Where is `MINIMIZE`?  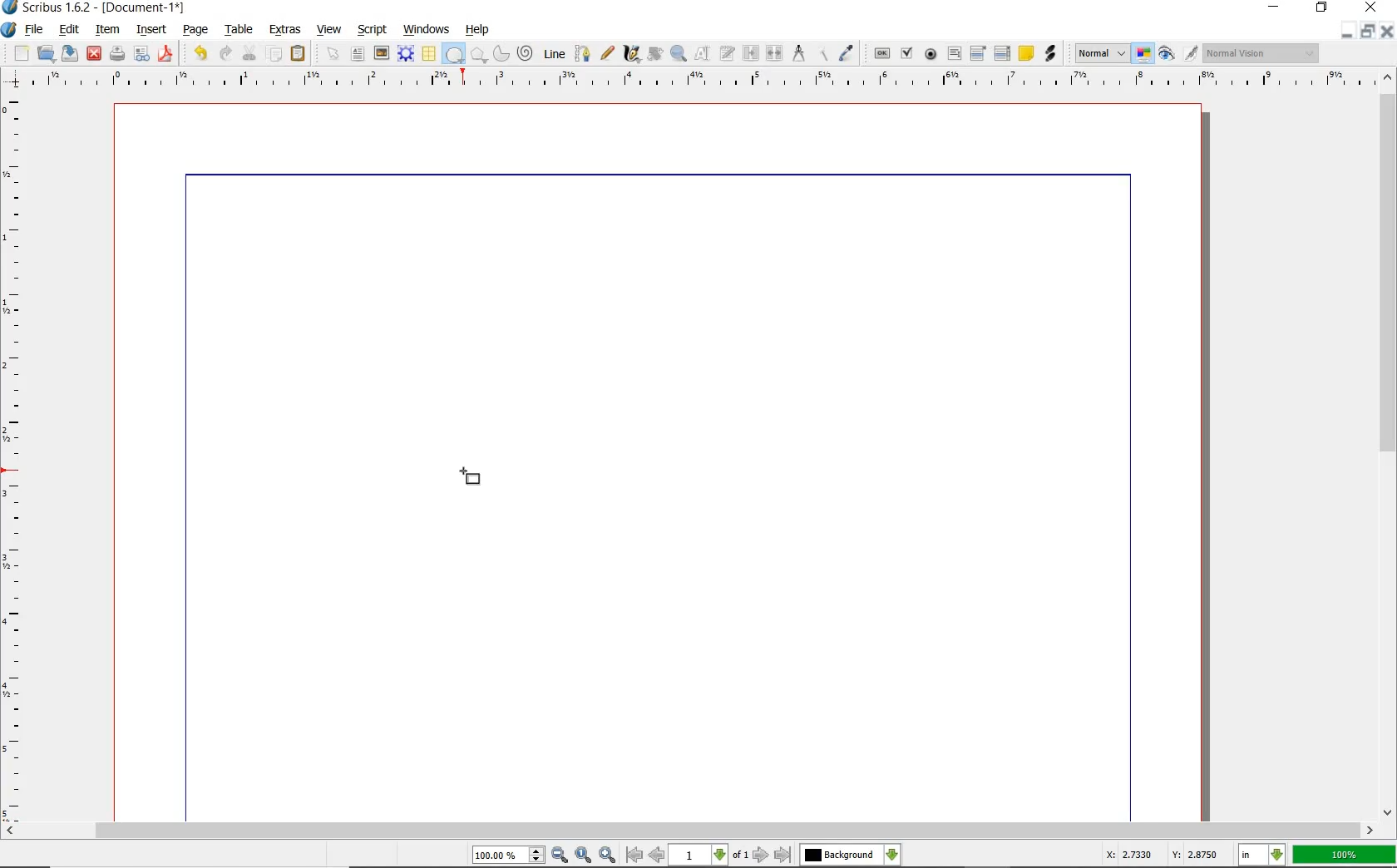 MINIMIZE is located at coordinates (1276, 6).